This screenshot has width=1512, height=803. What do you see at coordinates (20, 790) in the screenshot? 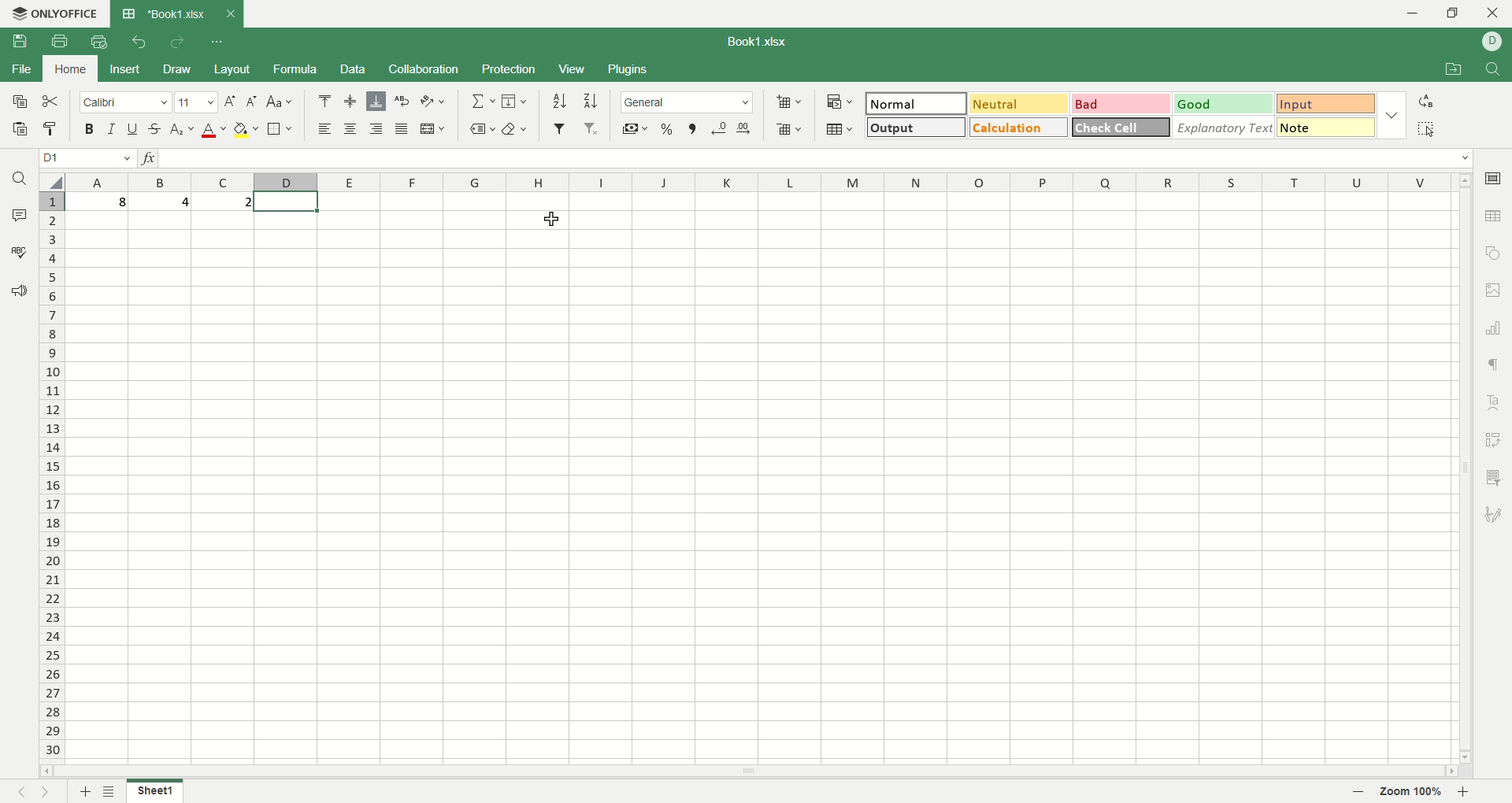
I see `previous` at bounding box center [20, 790].